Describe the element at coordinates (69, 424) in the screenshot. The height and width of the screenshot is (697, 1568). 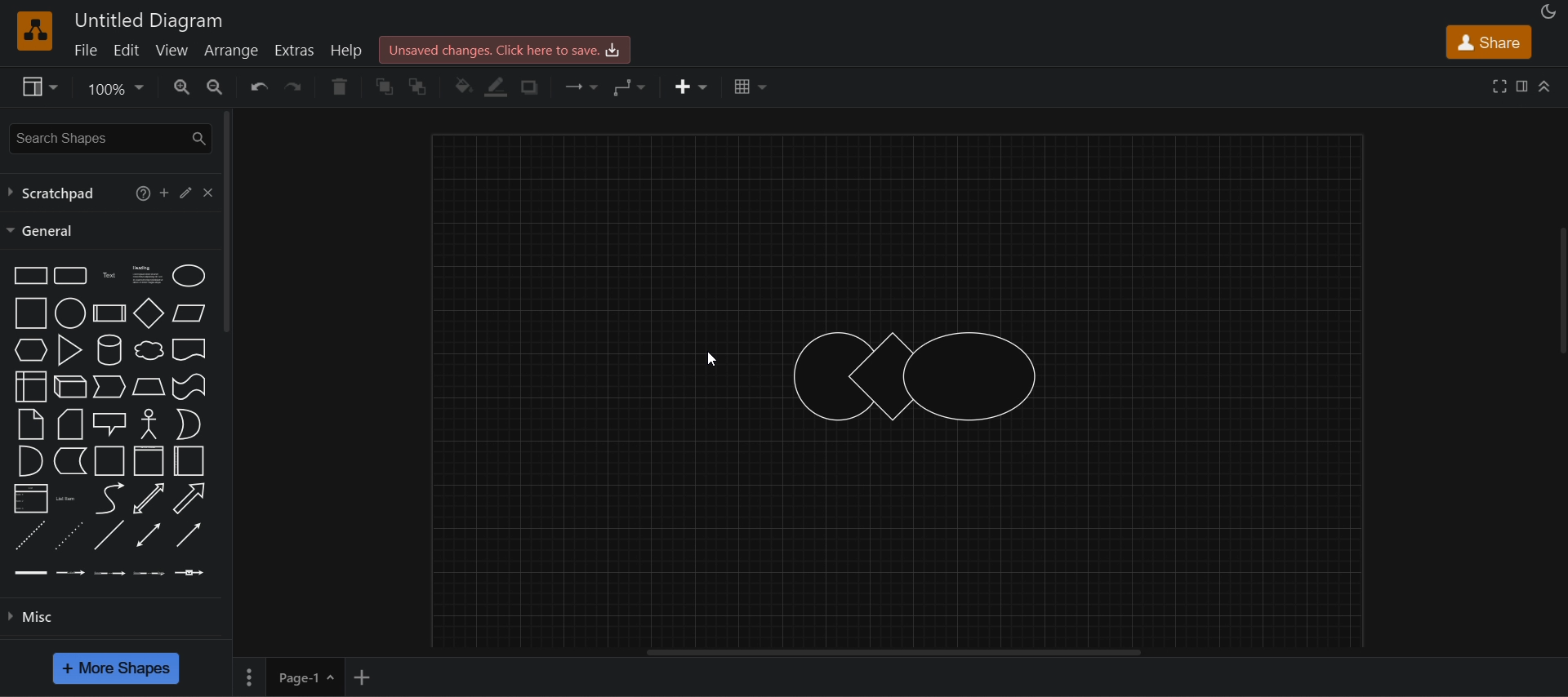
I see `card` at that location.